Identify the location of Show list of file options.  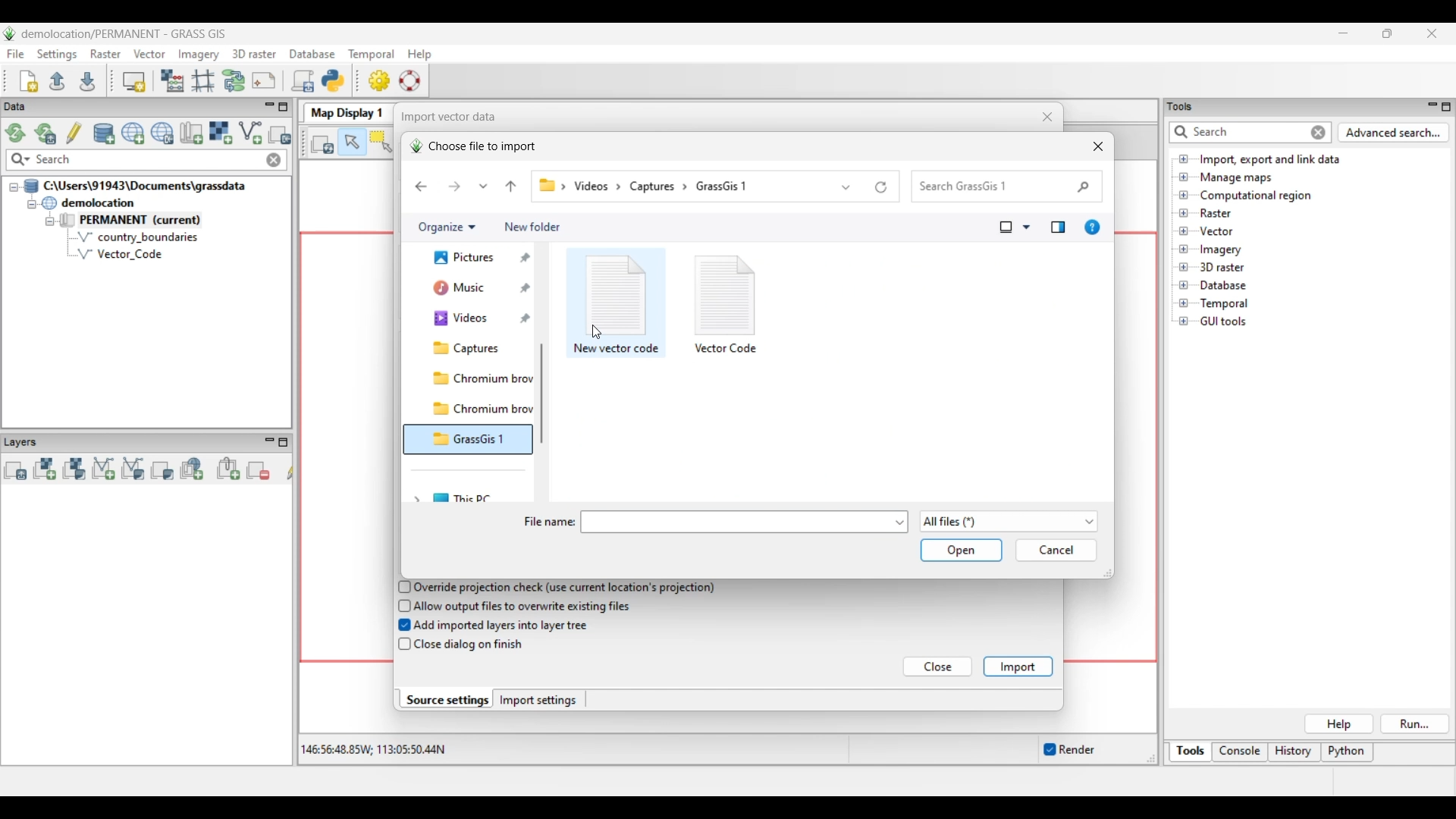
(1008, 522).